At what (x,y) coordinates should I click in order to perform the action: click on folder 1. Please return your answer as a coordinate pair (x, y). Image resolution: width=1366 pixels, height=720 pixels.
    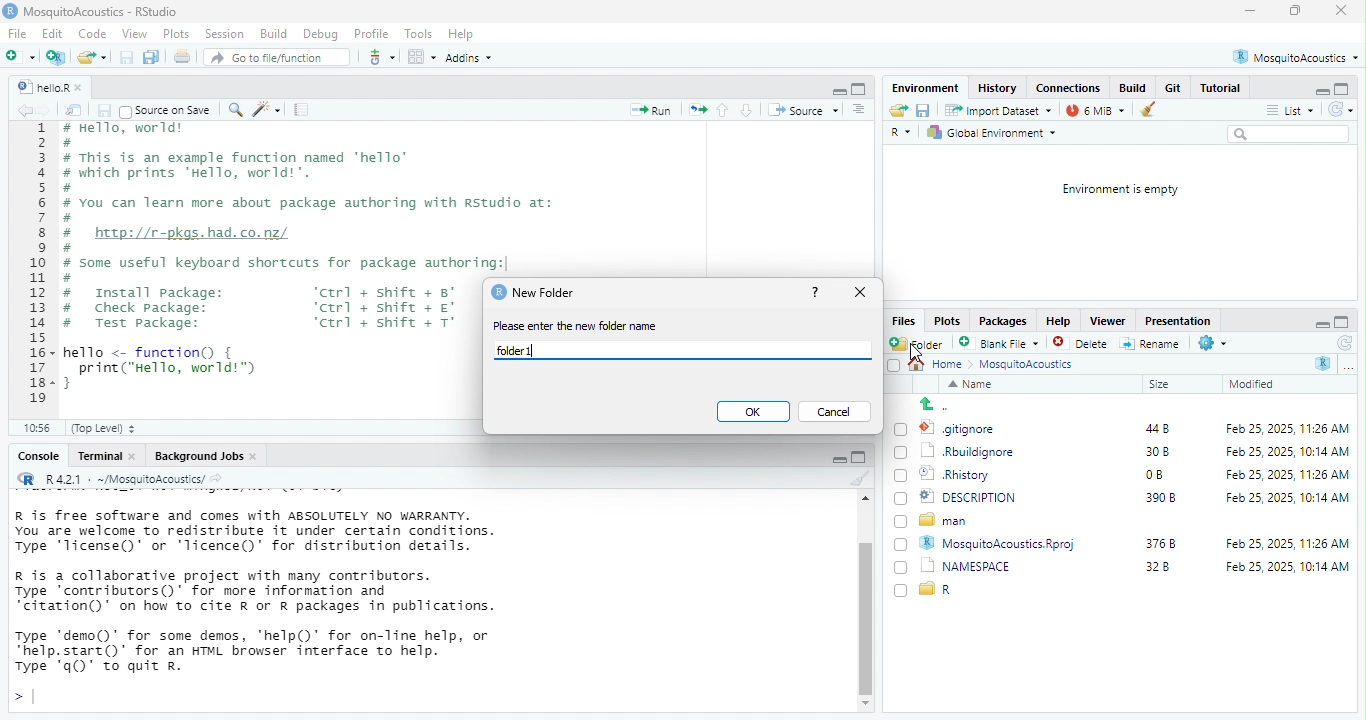
    Looking at the image, I should click on (518, 350).